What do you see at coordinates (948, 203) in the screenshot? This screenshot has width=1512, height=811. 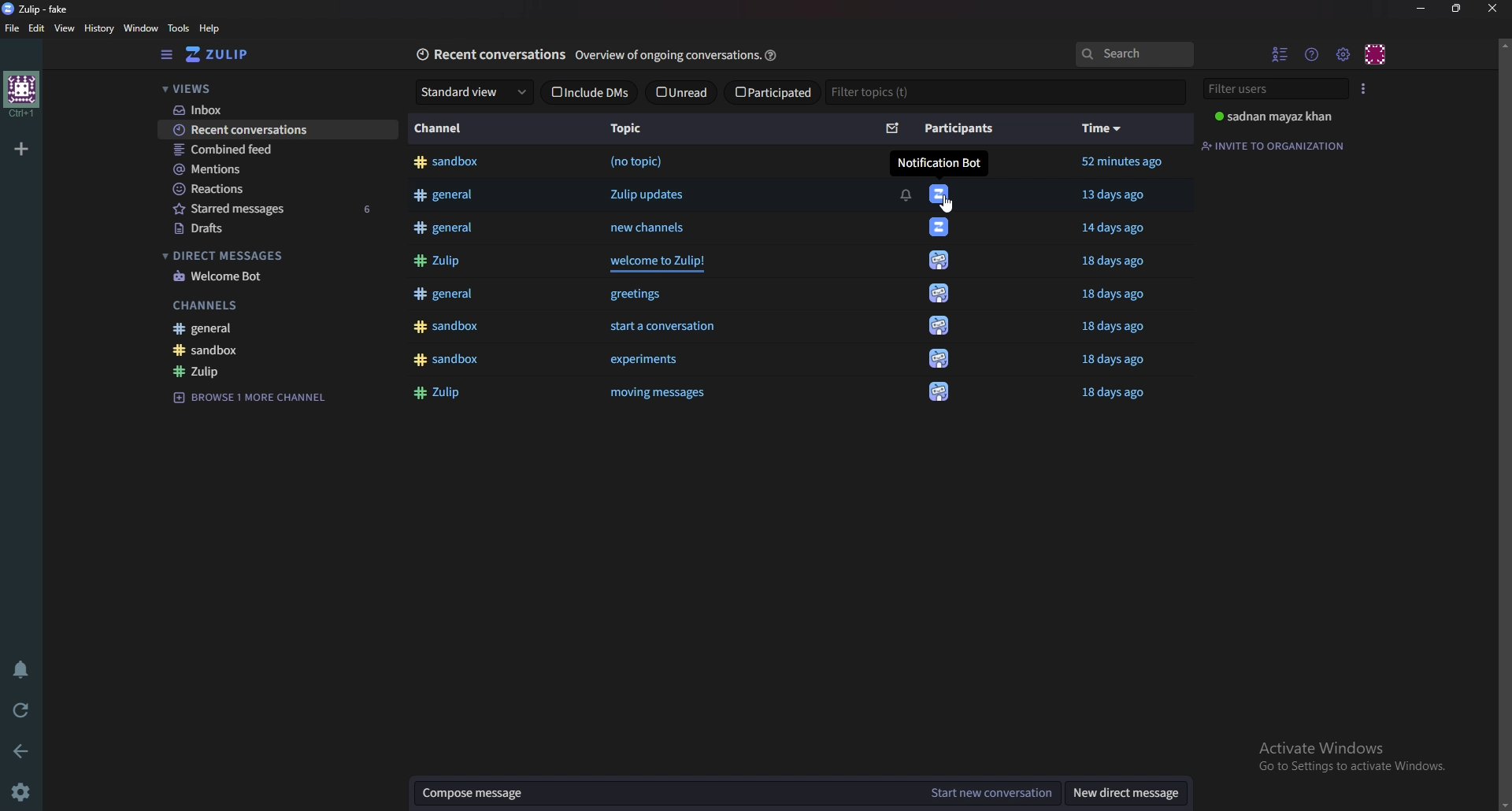 I see `cursor` at bounding box center [948, 203].